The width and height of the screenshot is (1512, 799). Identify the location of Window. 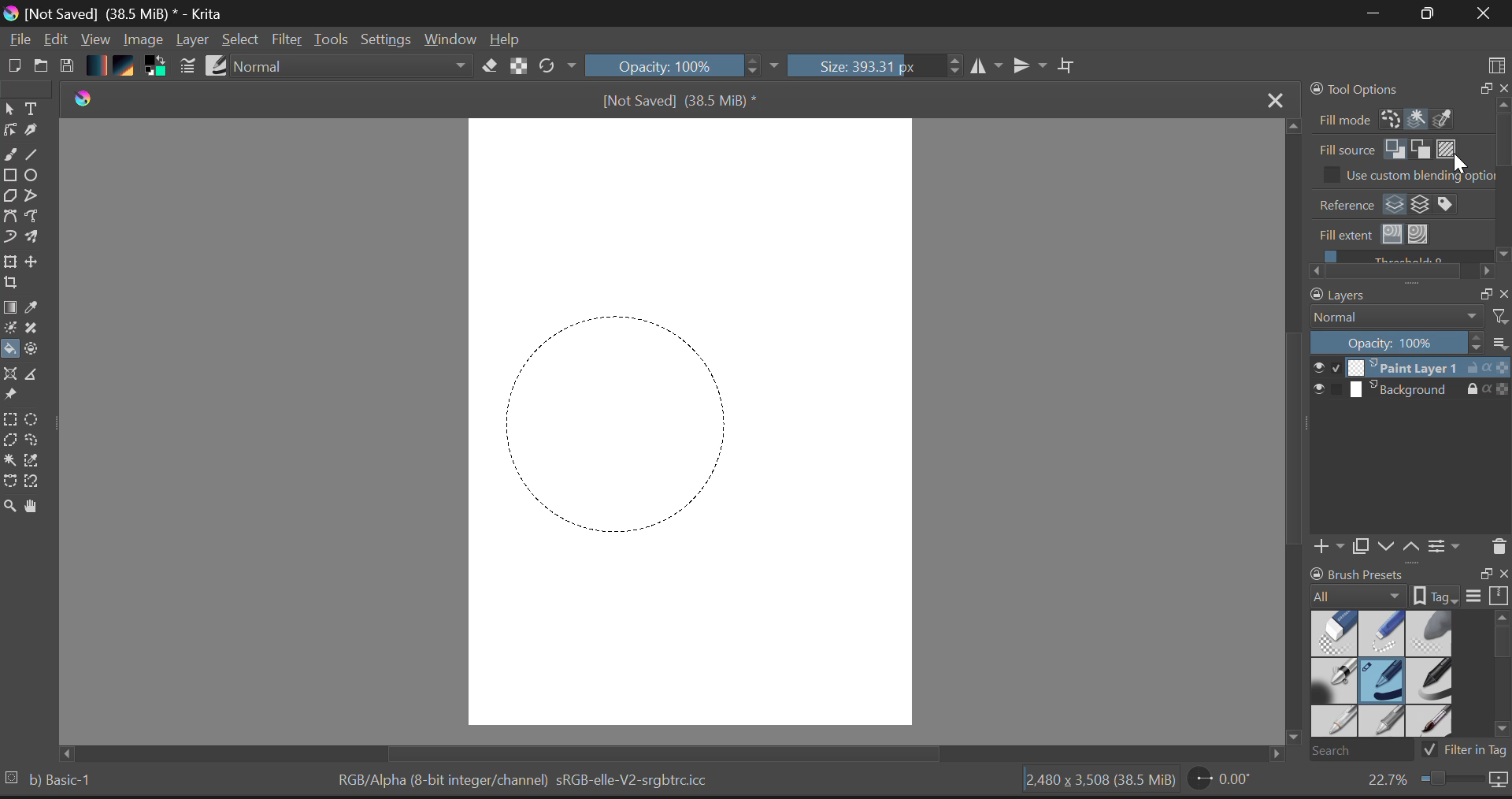
(449, 39).